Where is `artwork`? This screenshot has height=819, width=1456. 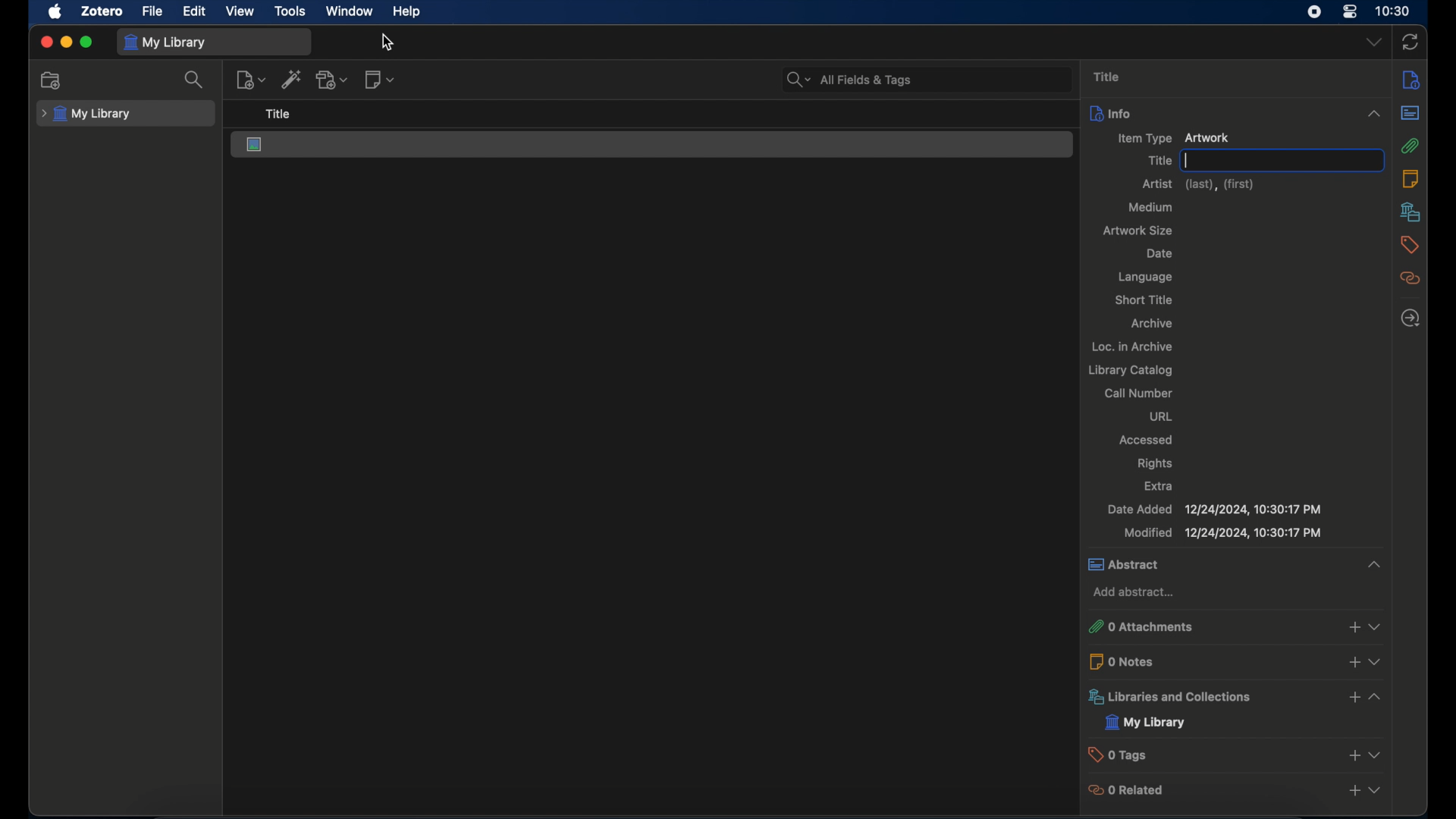
artwork is located at coordinates (255, 145).